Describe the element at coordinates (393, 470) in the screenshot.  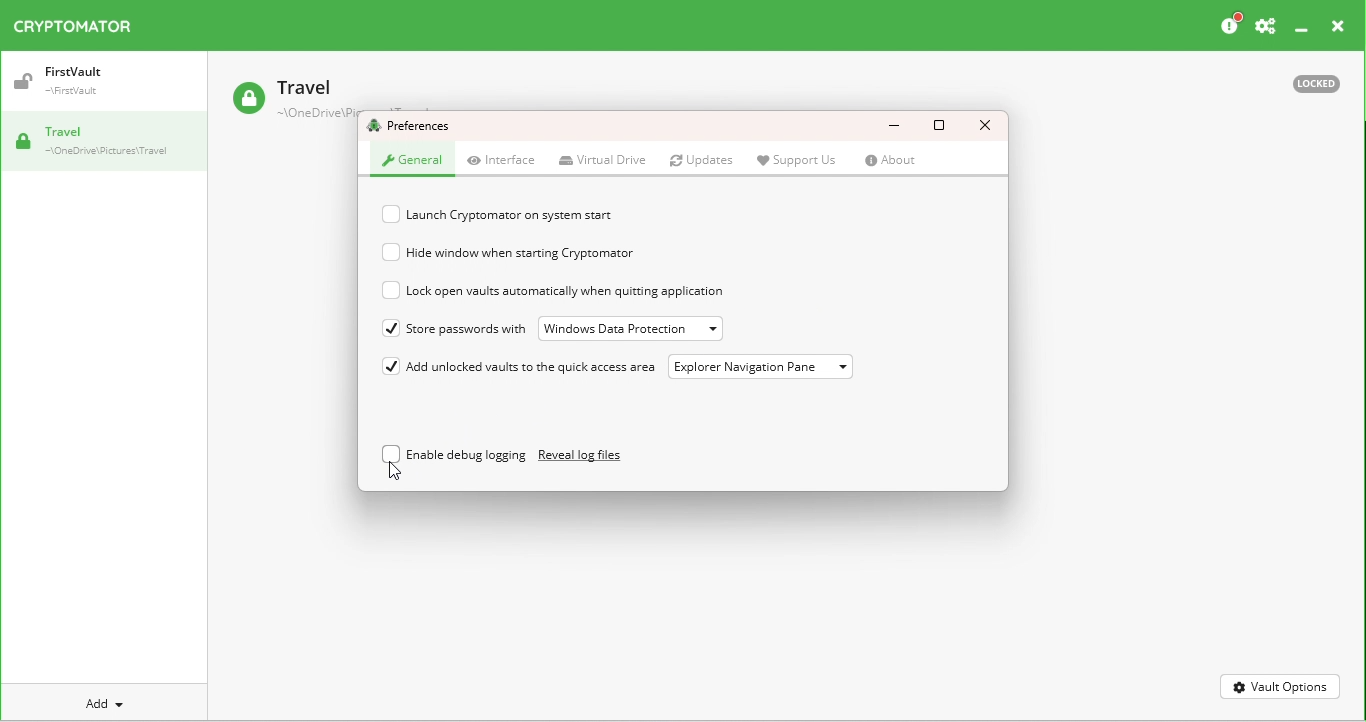
I see `Cursor` at that location.